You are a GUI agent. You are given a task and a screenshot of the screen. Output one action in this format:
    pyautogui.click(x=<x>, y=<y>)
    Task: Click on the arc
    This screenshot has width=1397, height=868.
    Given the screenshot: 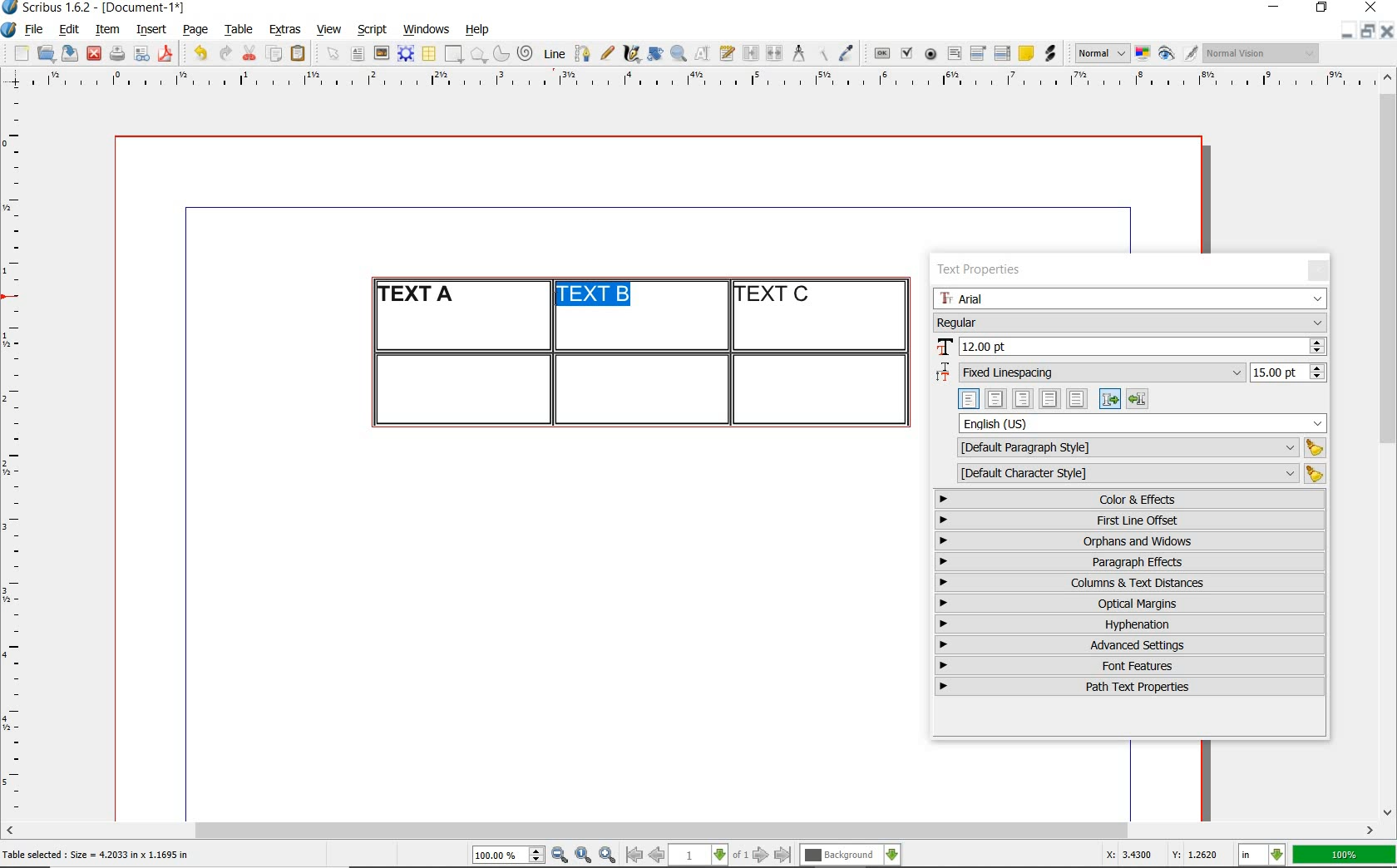 What is the action you would take?
    pyautogui.click(x=501, y=53)
    